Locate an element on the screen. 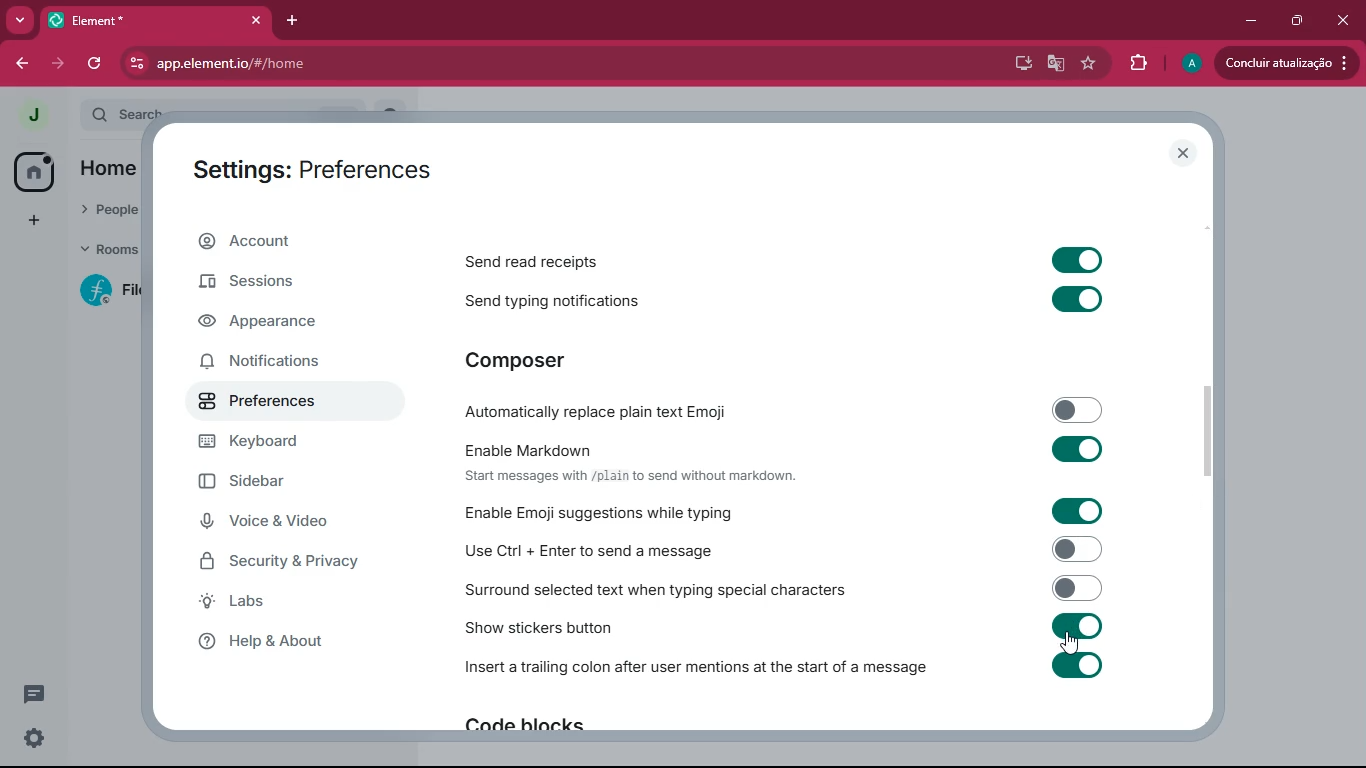 The image size is (1366, 768). home is located at coordinates (34, 171).